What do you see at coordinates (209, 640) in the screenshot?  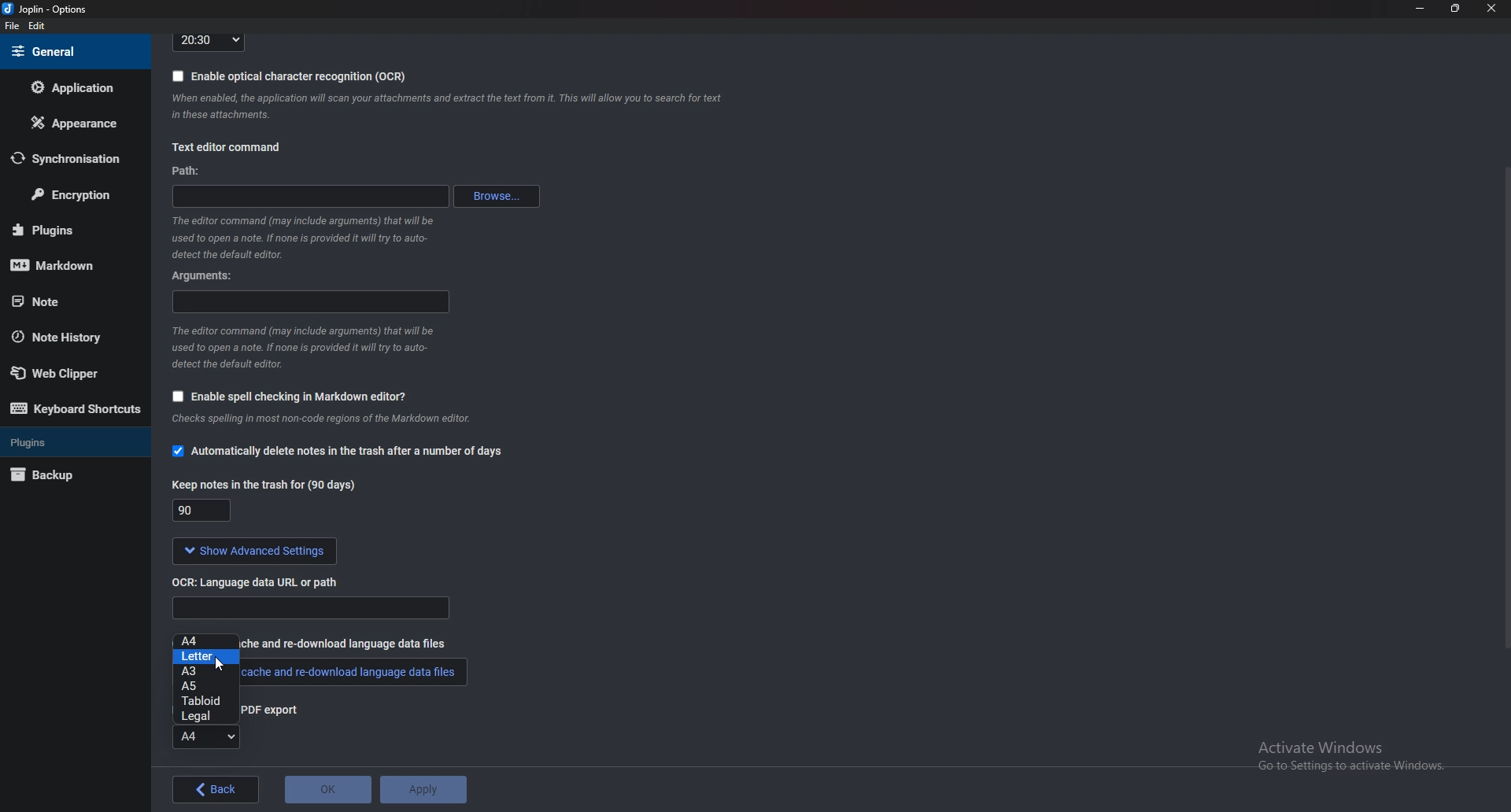 I see `a4` at bounding box center [209, 640].